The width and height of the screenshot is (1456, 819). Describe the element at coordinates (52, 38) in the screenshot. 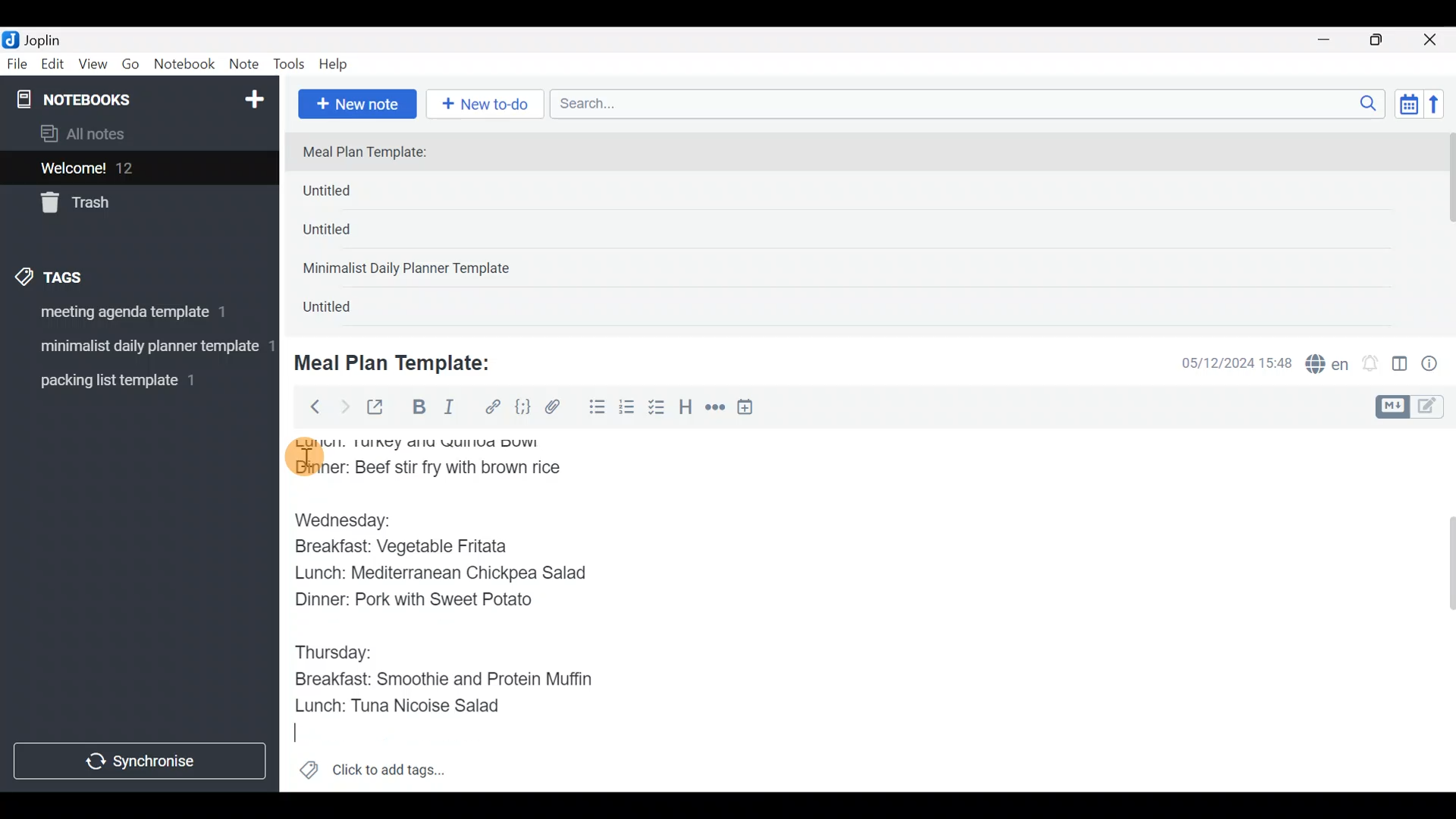

I see `Joplin` at that location.